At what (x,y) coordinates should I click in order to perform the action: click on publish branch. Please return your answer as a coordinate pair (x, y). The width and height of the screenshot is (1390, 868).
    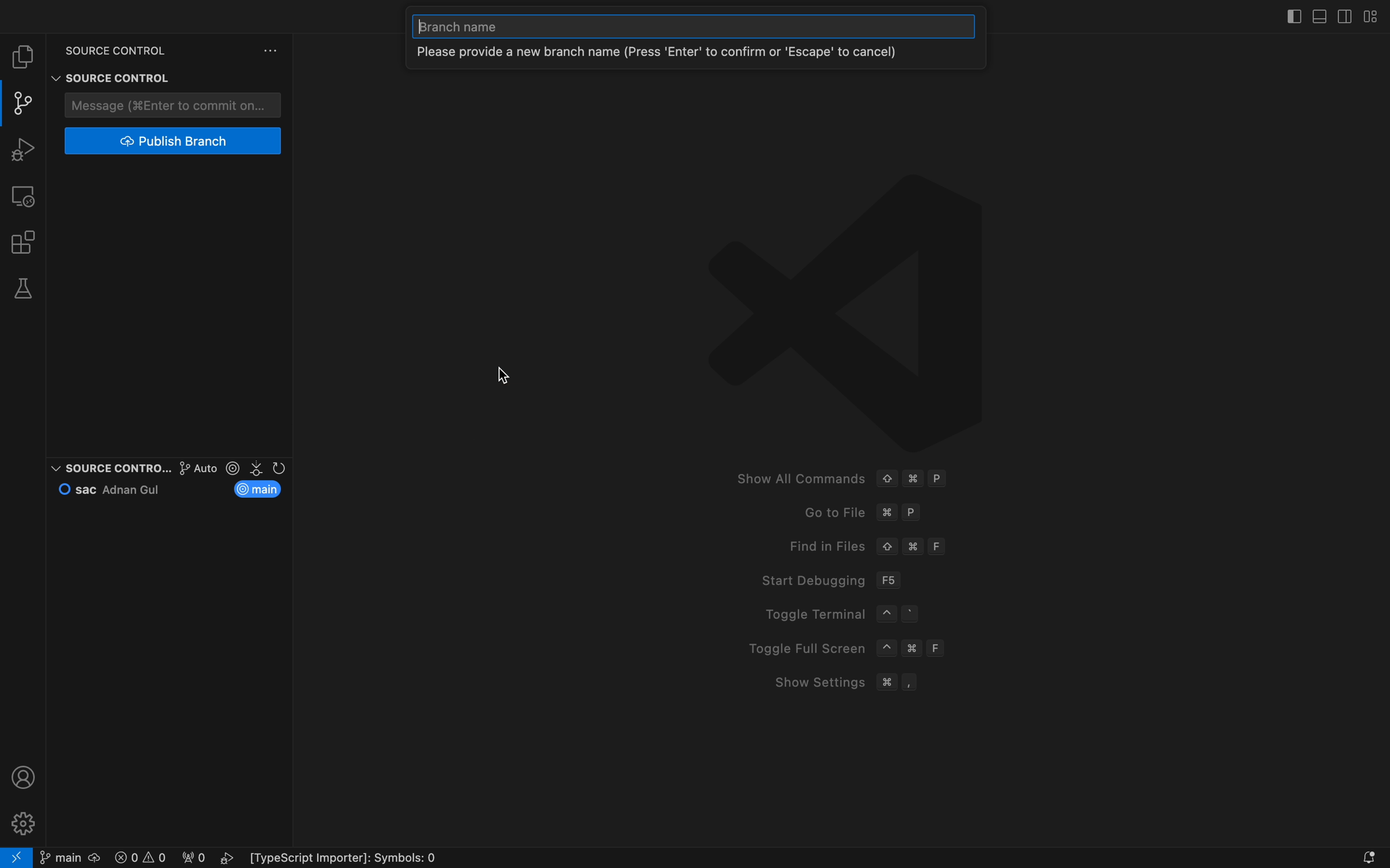
    Looking at the image, I should click on (171, 141).